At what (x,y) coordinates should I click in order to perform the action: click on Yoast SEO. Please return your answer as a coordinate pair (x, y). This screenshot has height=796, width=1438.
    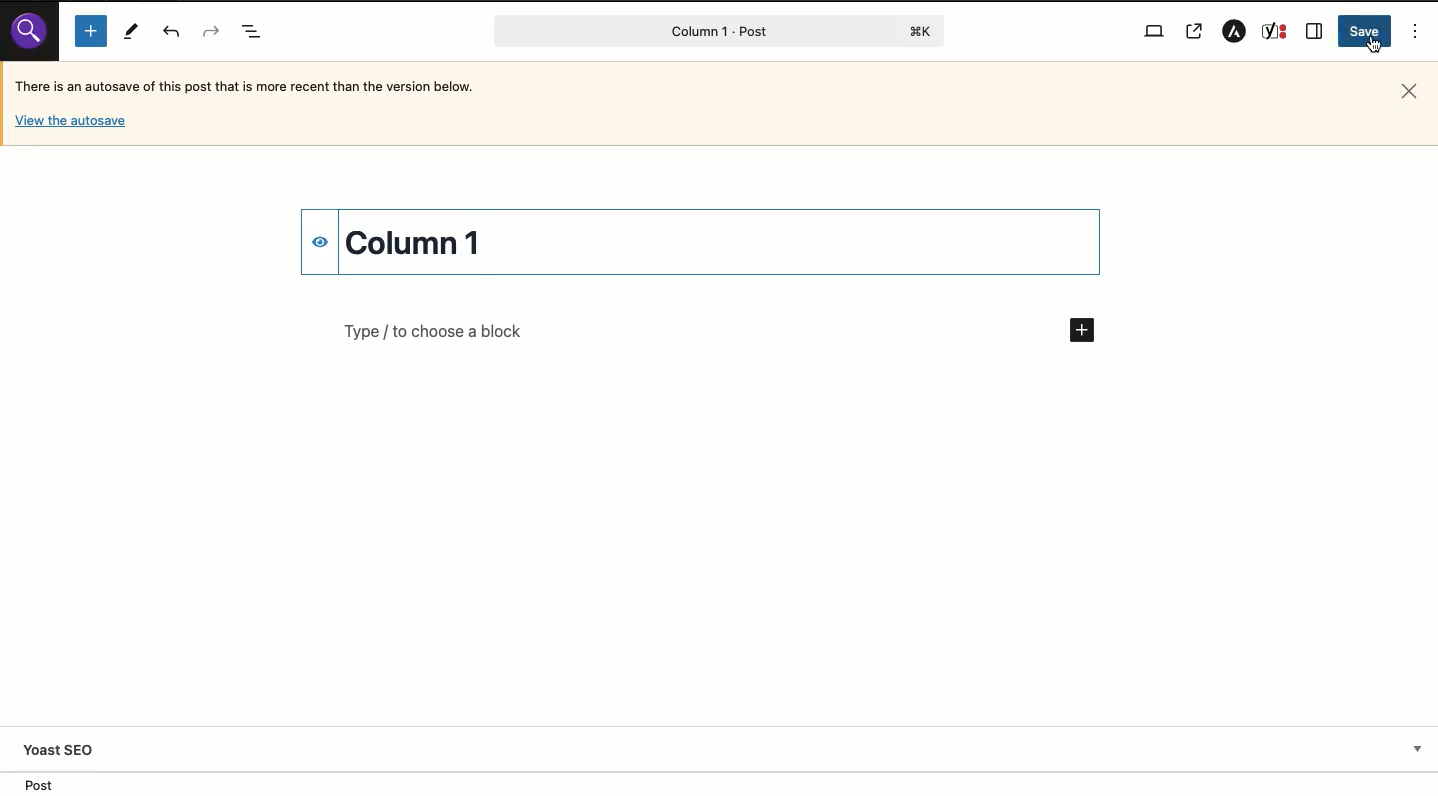
    Looking at the image, I should click on (725, 749).